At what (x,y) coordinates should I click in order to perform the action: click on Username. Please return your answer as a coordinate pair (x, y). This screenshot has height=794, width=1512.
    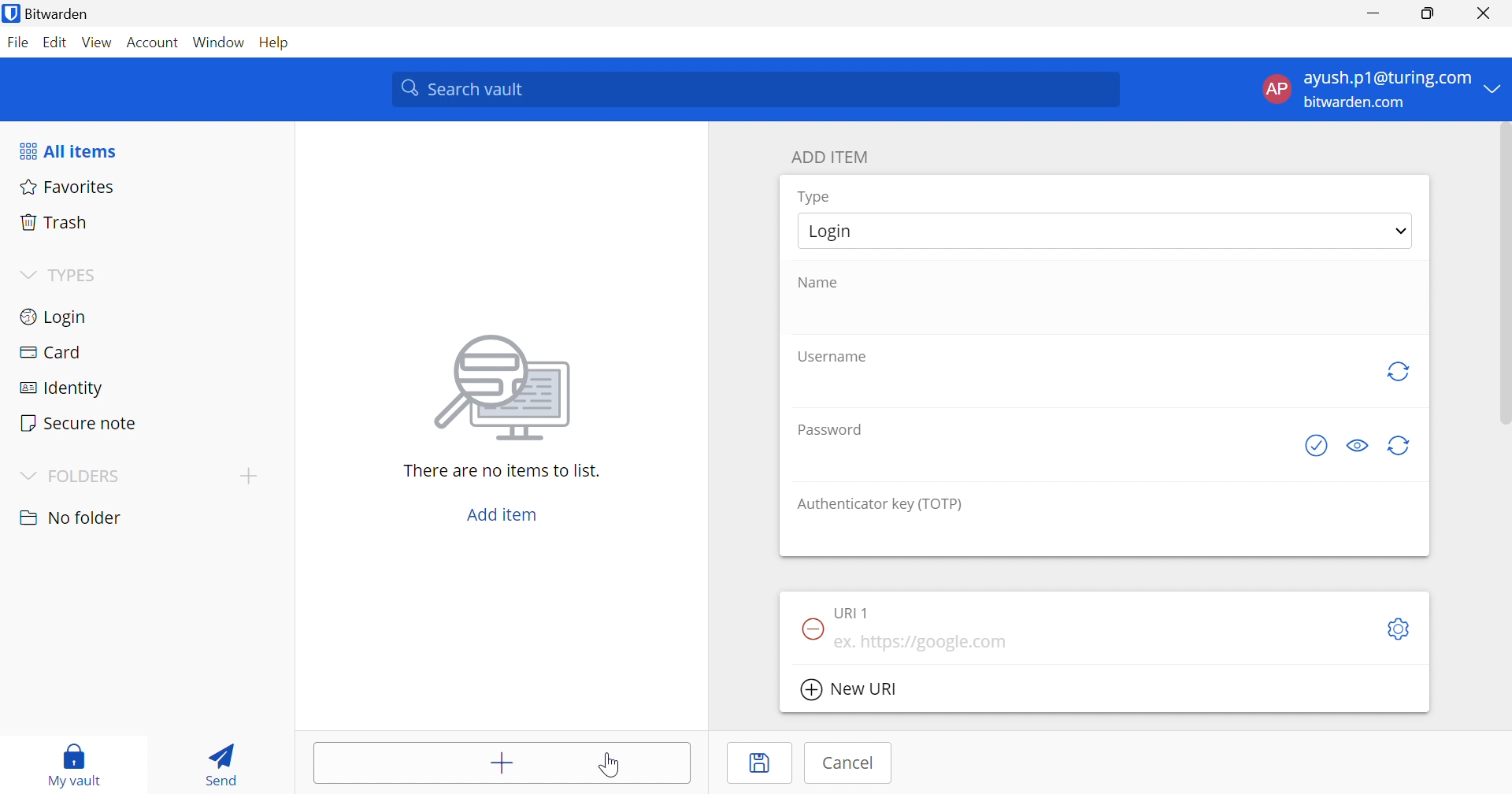
    Looking at the image, I should click on (835, 358).